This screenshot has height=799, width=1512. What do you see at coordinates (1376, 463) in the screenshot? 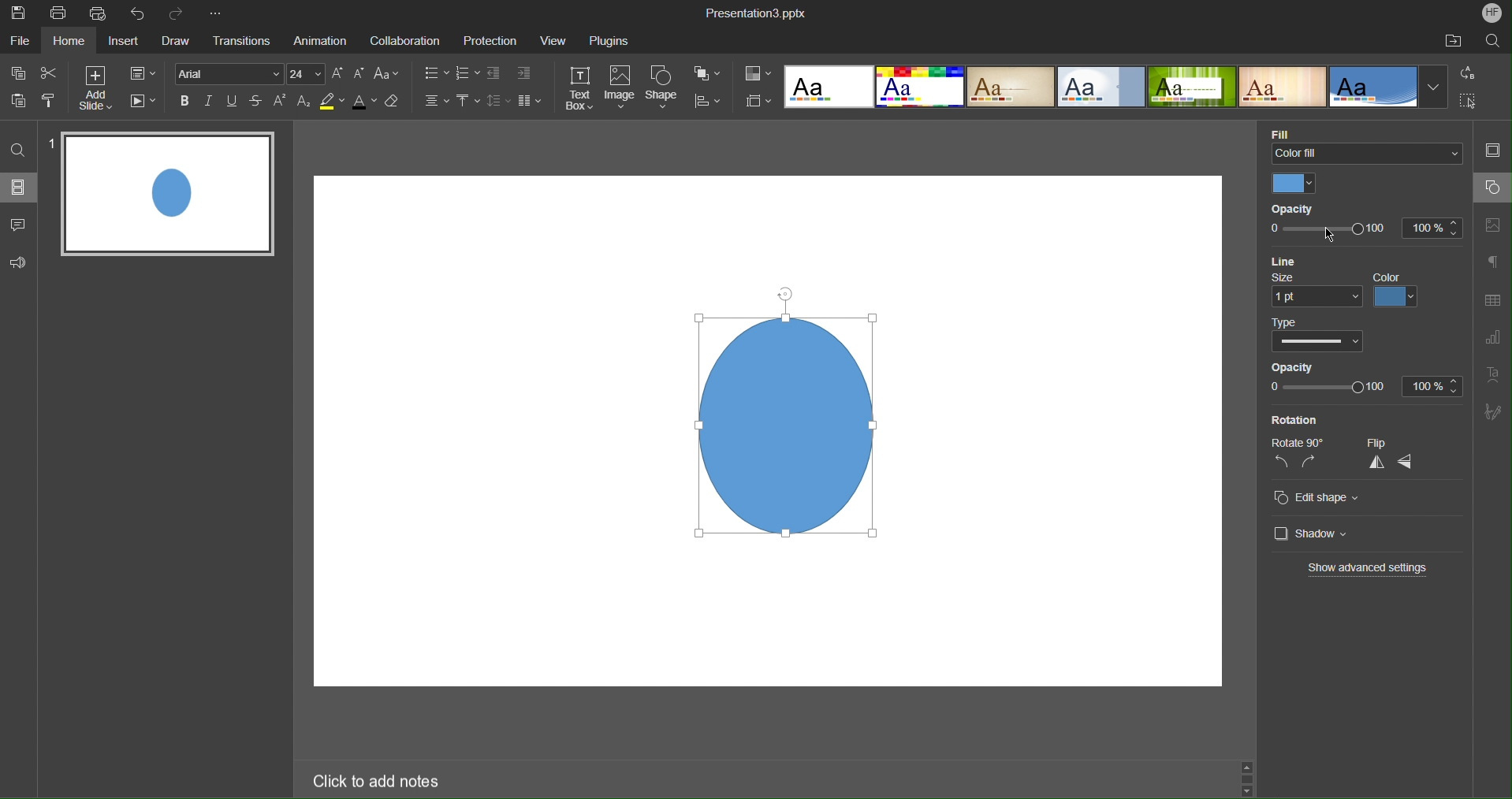
I see `Flip Vertical` at bounding box center [1376, 463].